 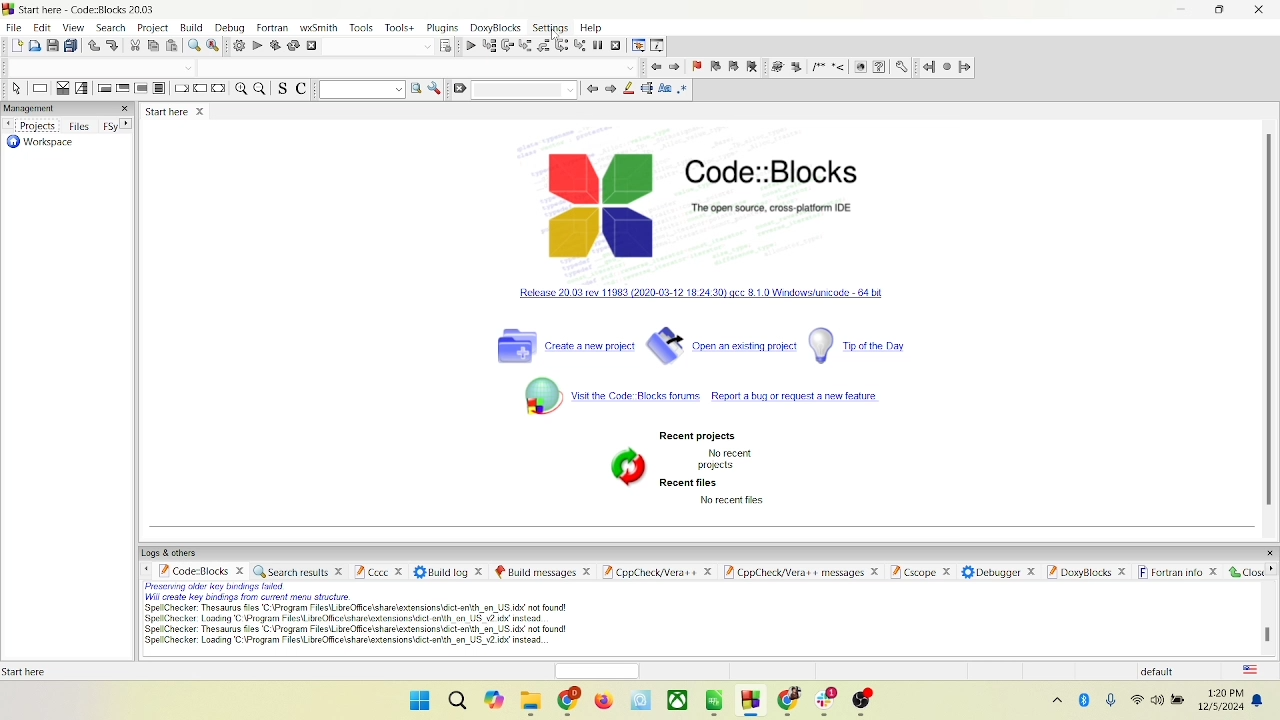 What do you see at coordinates (1223, 699) in the screenshot?
I see `date and time` at bounding box center [1223, 699].